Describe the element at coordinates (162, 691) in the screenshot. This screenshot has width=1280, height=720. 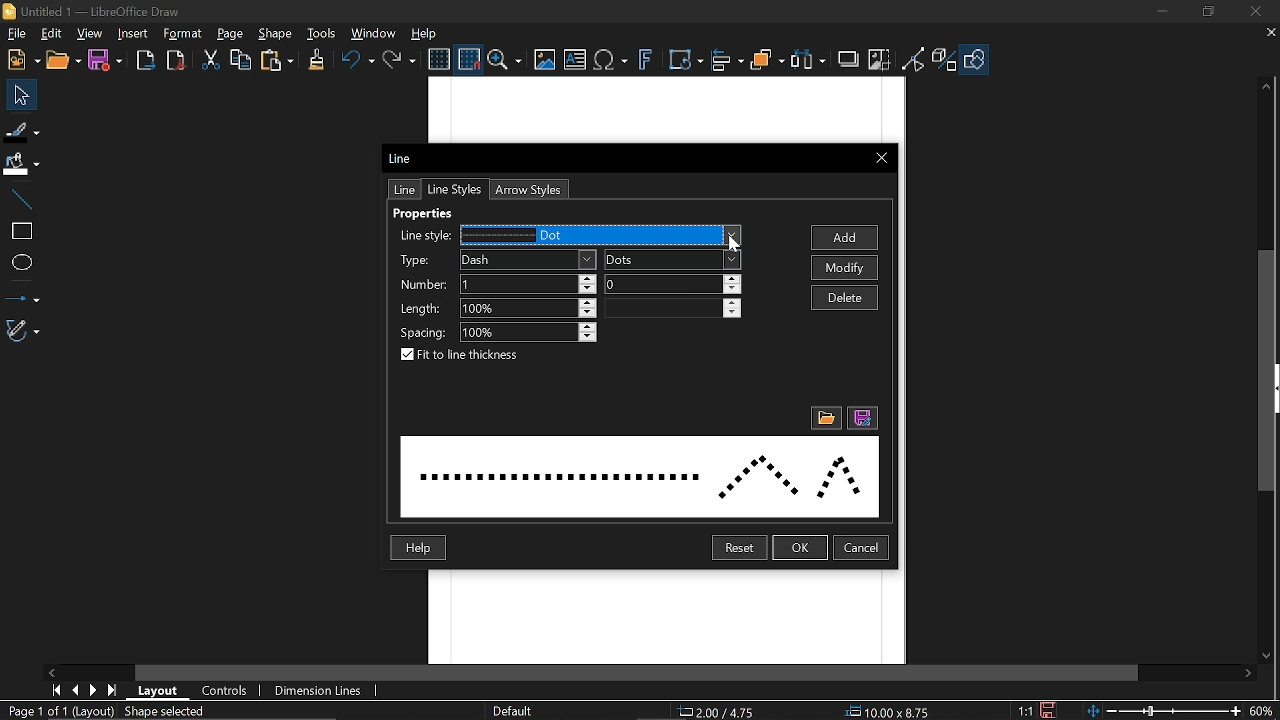
I see `Layout` at that location.